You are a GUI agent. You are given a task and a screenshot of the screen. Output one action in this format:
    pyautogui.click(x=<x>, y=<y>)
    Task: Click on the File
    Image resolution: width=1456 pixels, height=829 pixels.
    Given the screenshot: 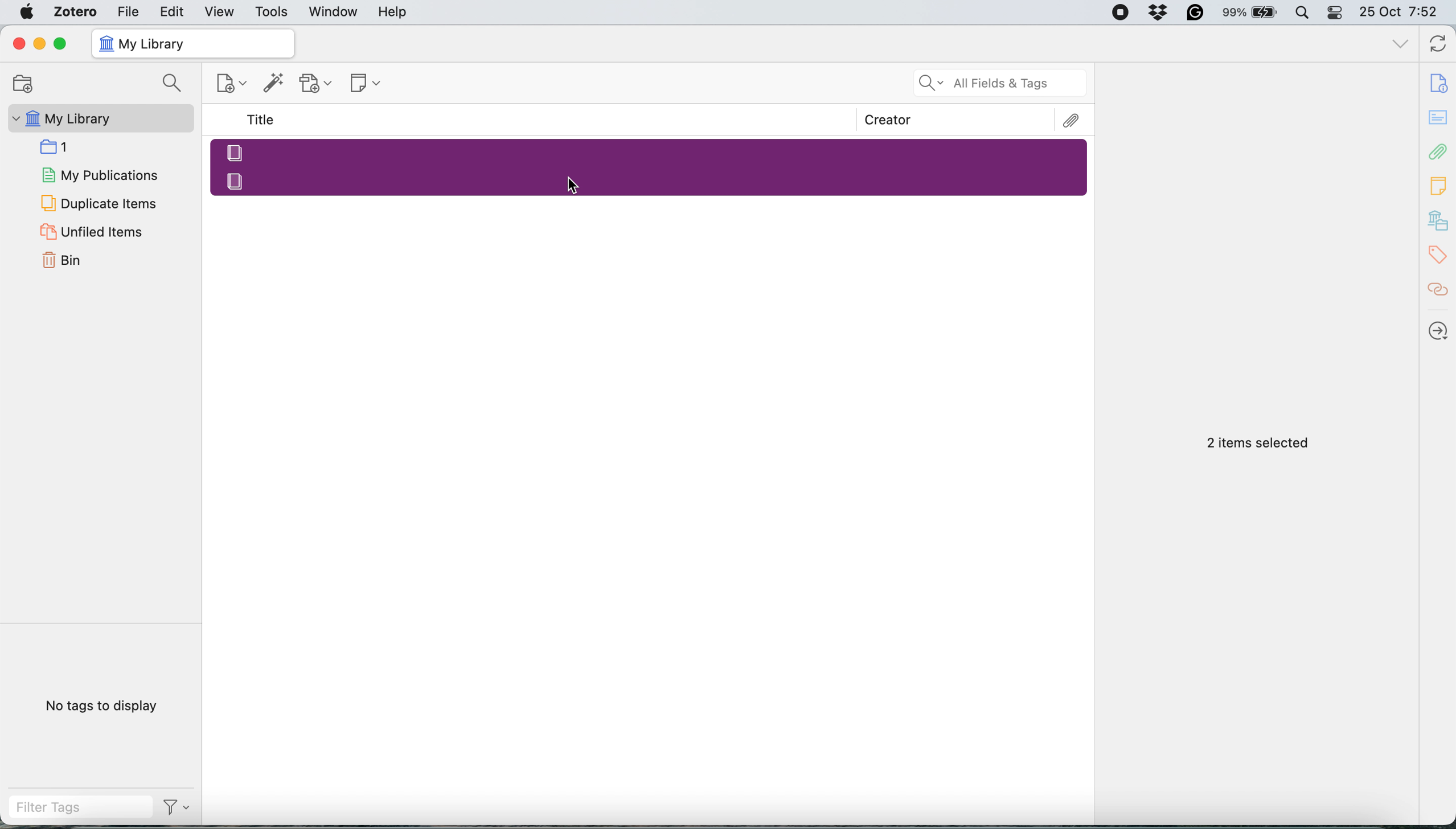 What is the action you would take?
    pyautogui.click(x=128, y=11)
    